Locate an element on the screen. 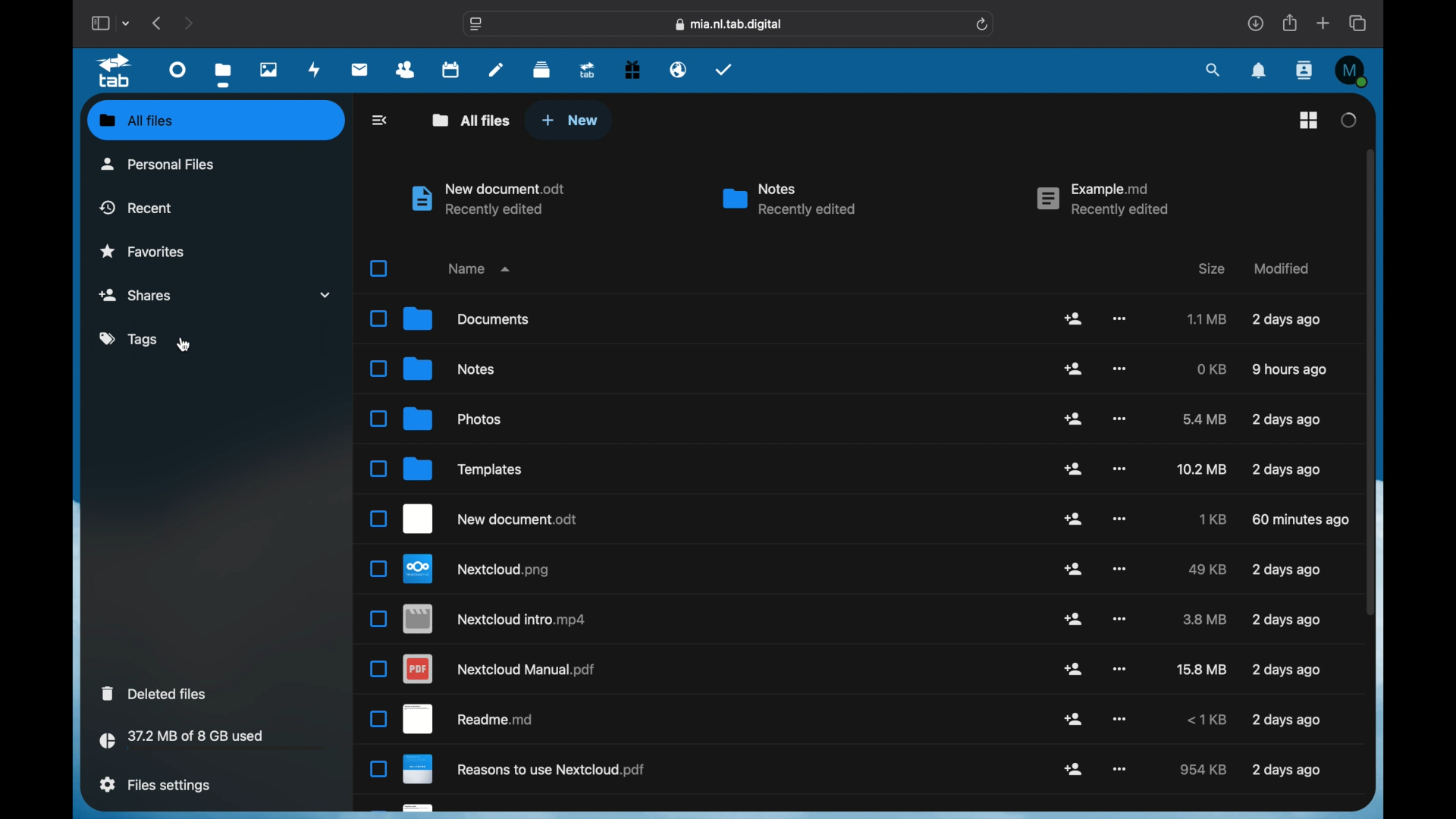 This screenshot has height=819, width=1456. next is located at coordinates (190, 23).